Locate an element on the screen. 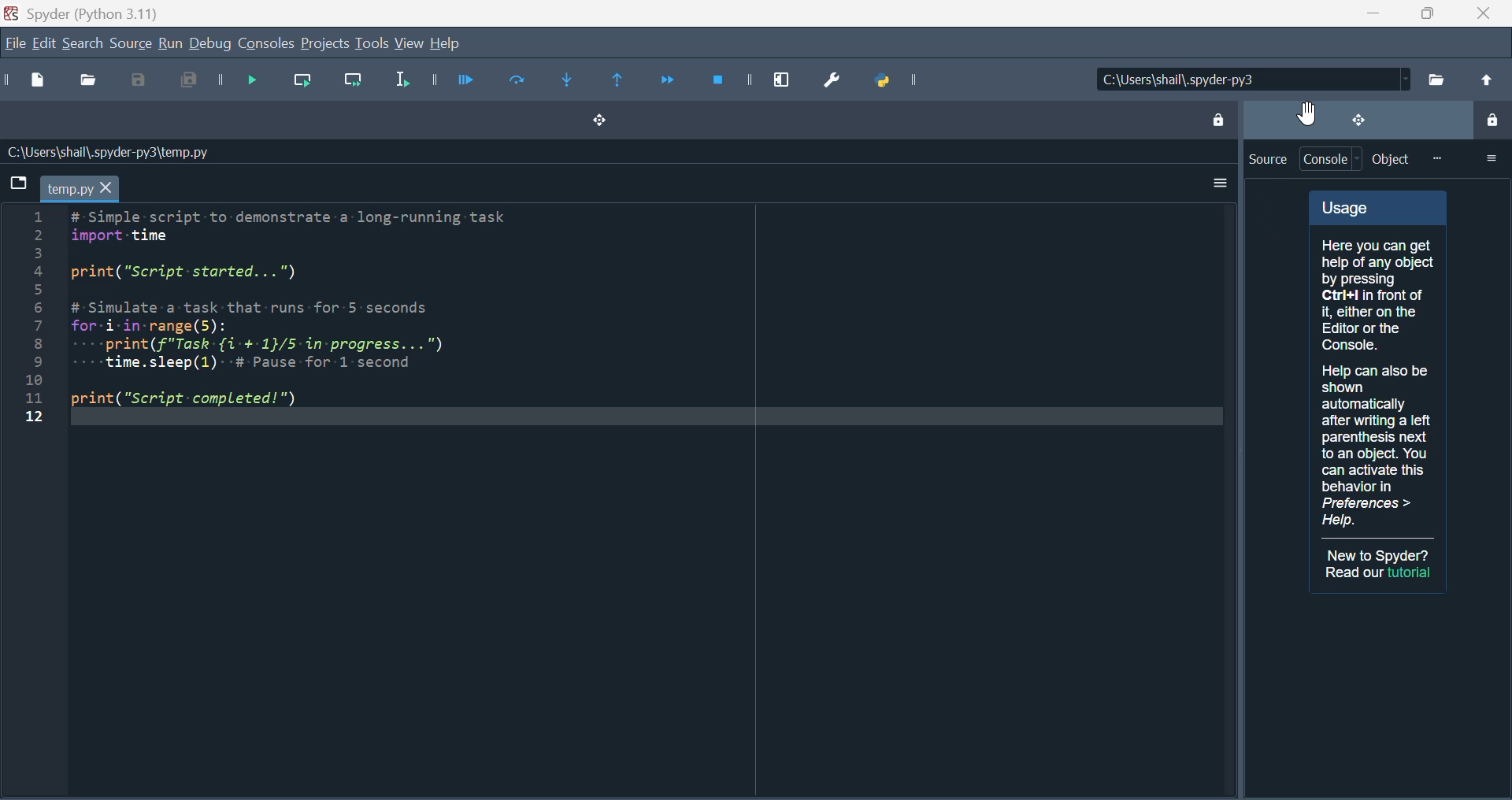 This screenshot has width=1512, height=800. Source is located at coordinates (1267, 159).